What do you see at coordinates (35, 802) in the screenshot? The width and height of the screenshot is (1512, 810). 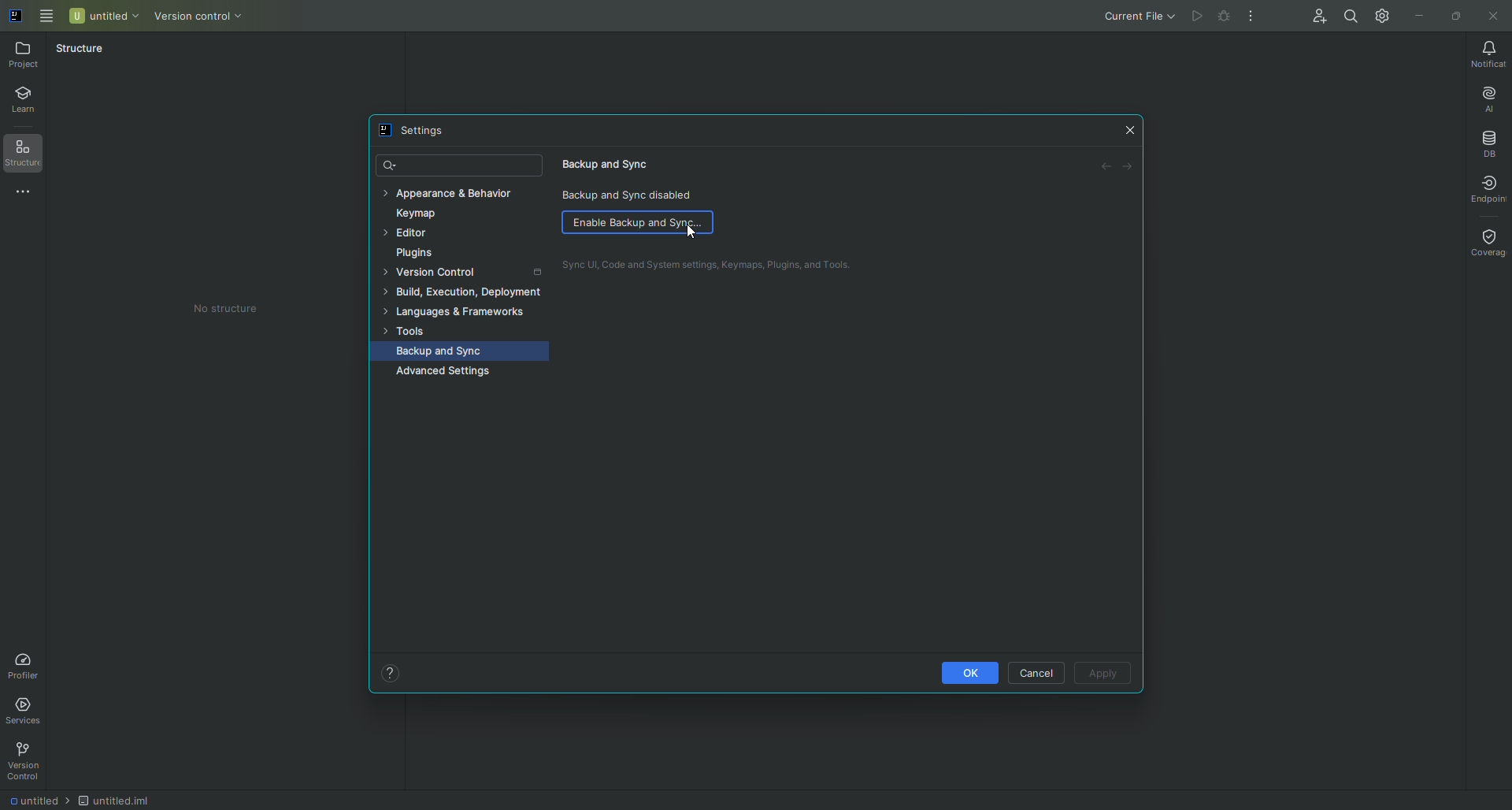 I see `Filename` at bounding box center [35, 802].